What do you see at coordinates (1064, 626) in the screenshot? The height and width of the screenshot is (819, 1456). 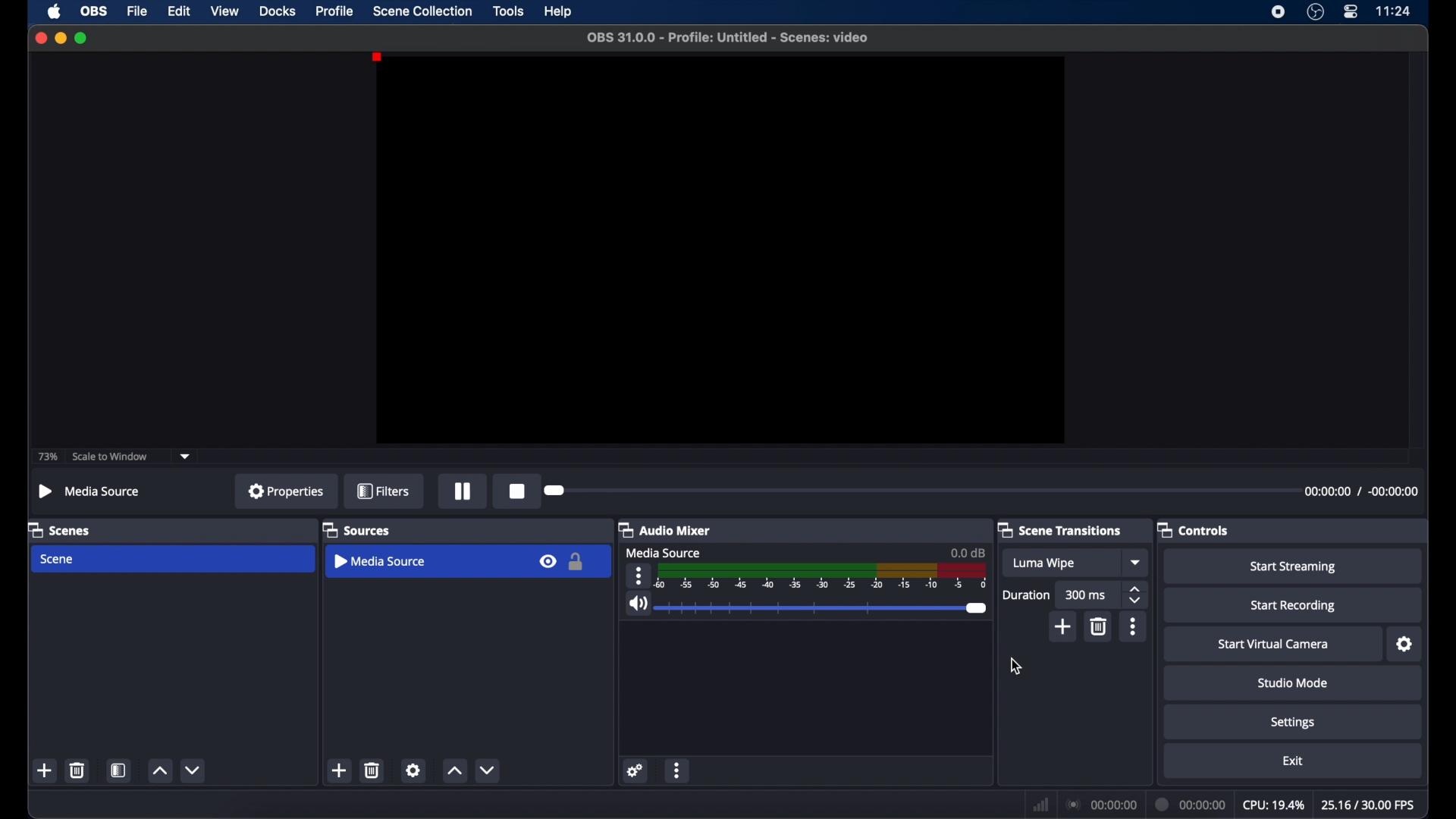 I see `add` at bounding box center [1064, 626].